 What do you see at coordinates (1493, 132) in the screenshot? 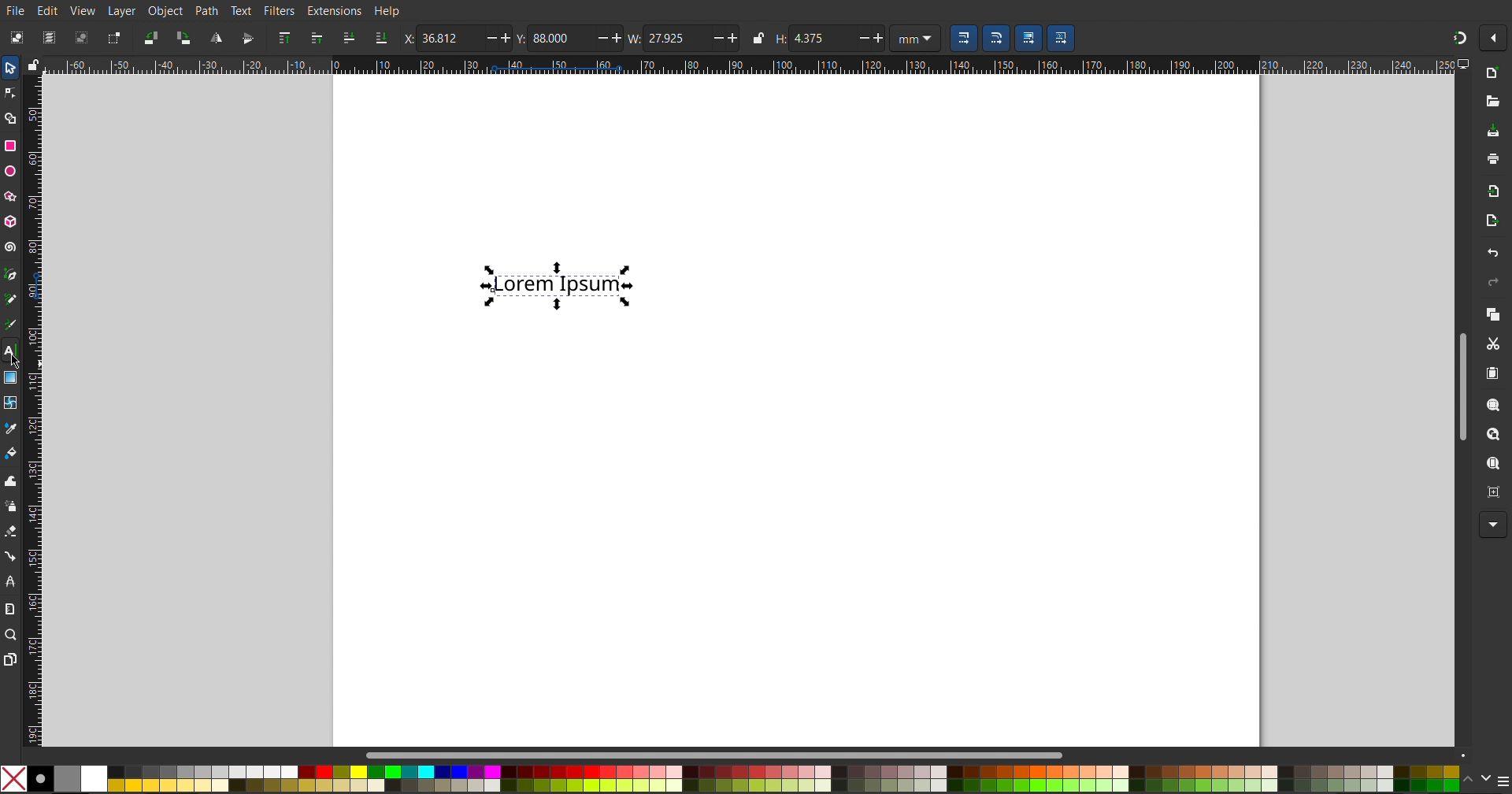
I see `Save` at bounding box center [1493, 132].